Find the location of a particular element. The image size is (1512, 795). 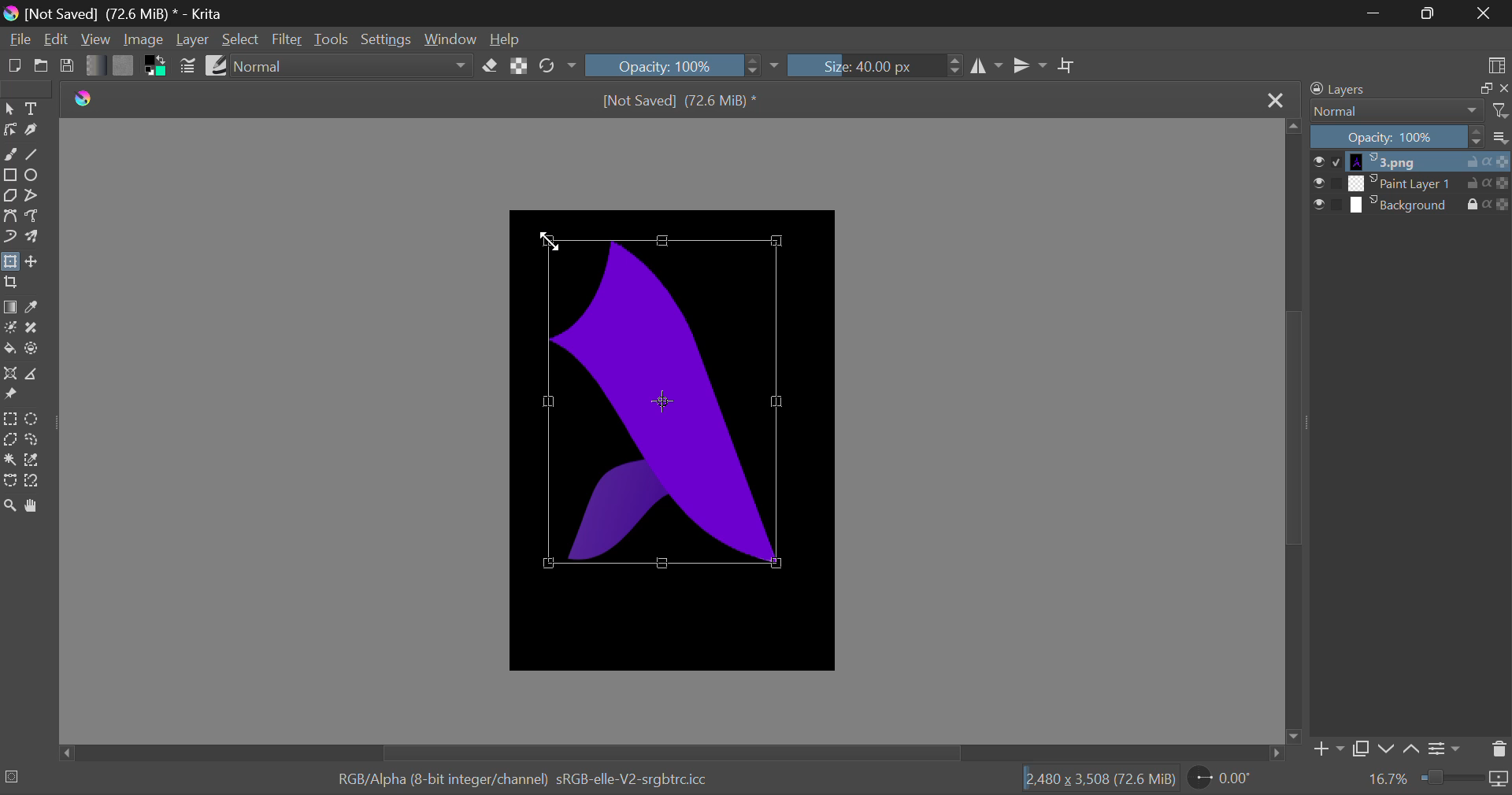

Line is located at coordinates (34, 155).